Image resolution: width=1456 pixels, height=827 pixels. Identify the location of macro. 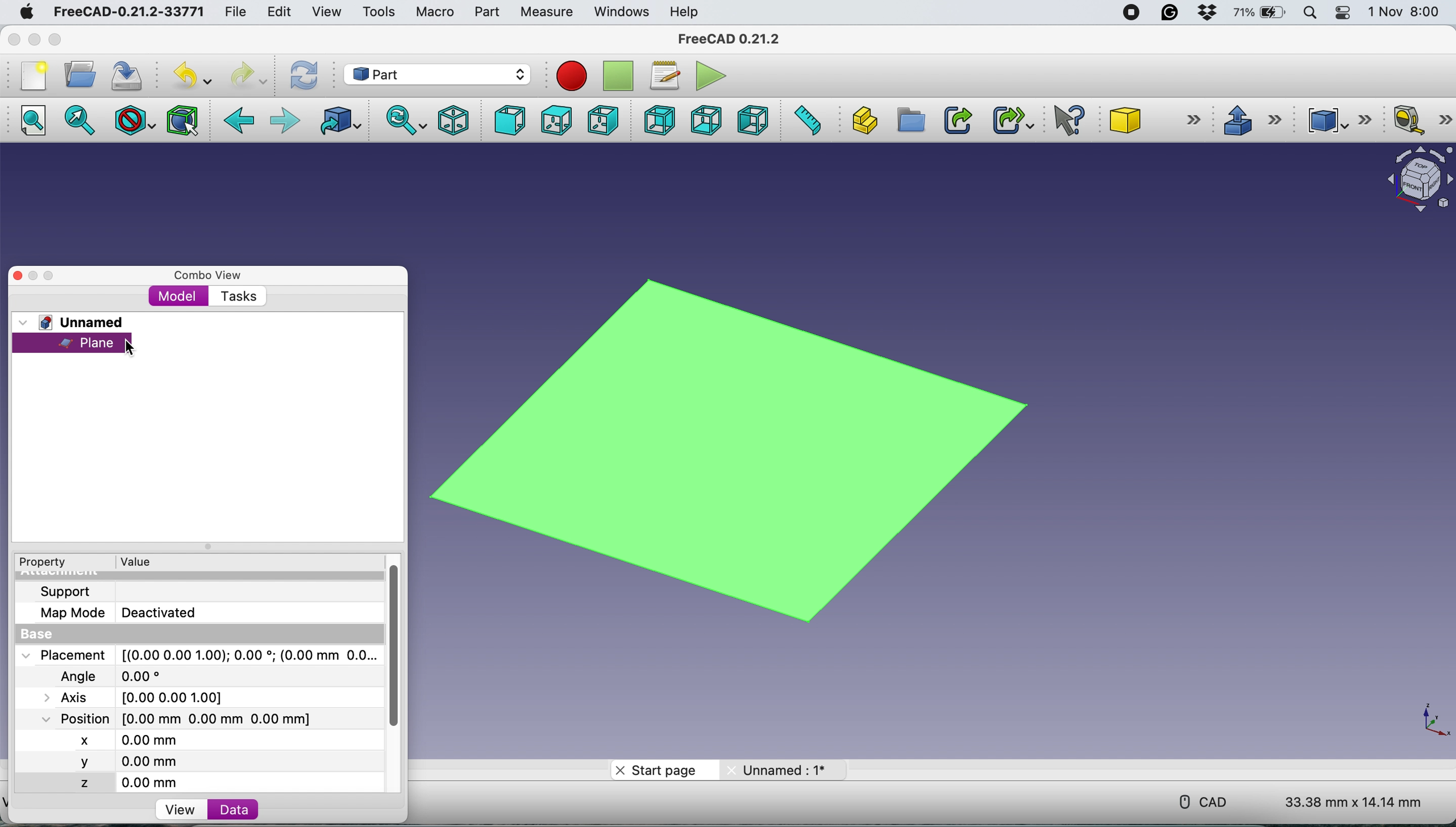
(432, 12).